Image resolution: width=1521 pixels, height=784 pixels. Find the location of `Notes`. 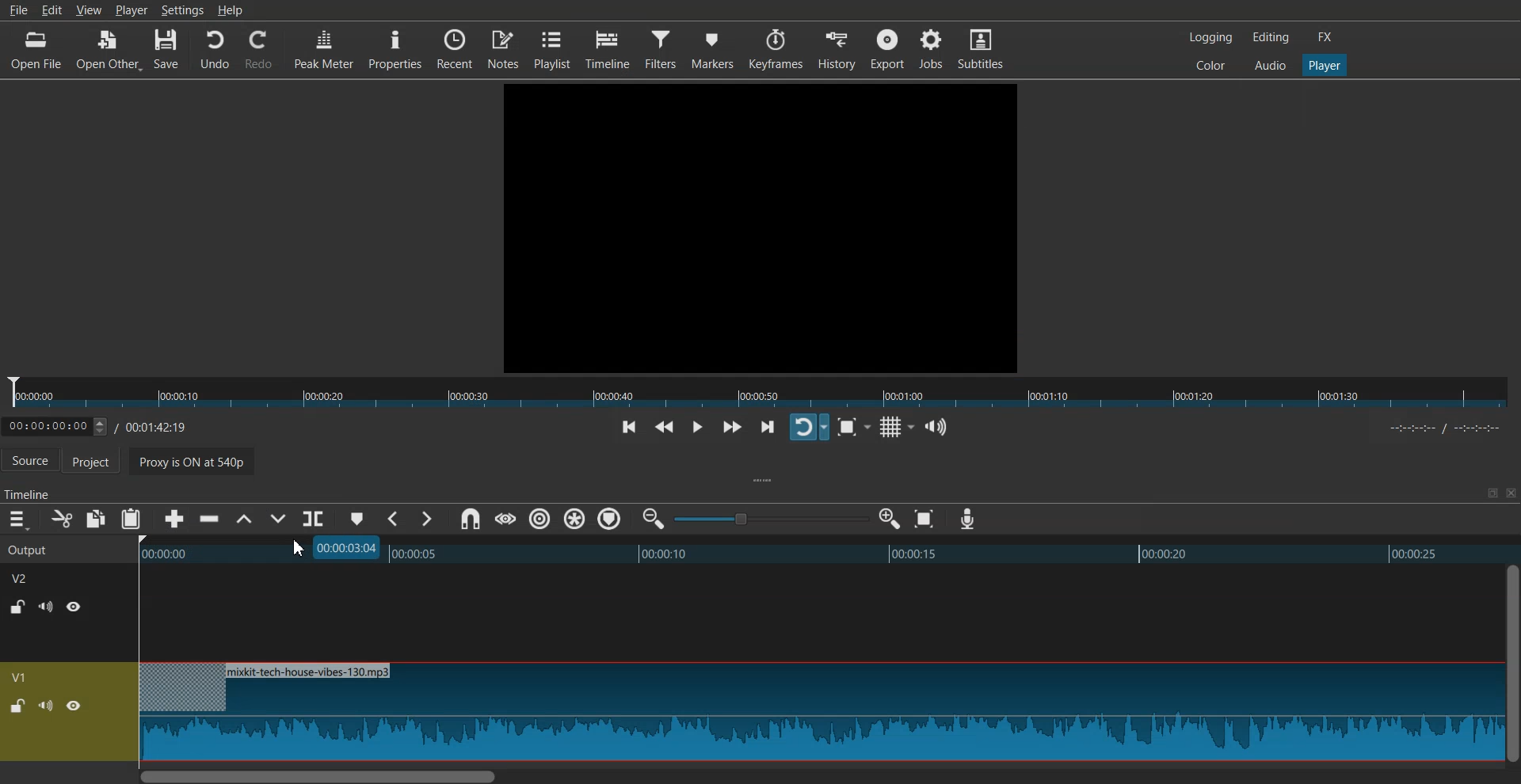

Notes is located at coordinates (503, 48).